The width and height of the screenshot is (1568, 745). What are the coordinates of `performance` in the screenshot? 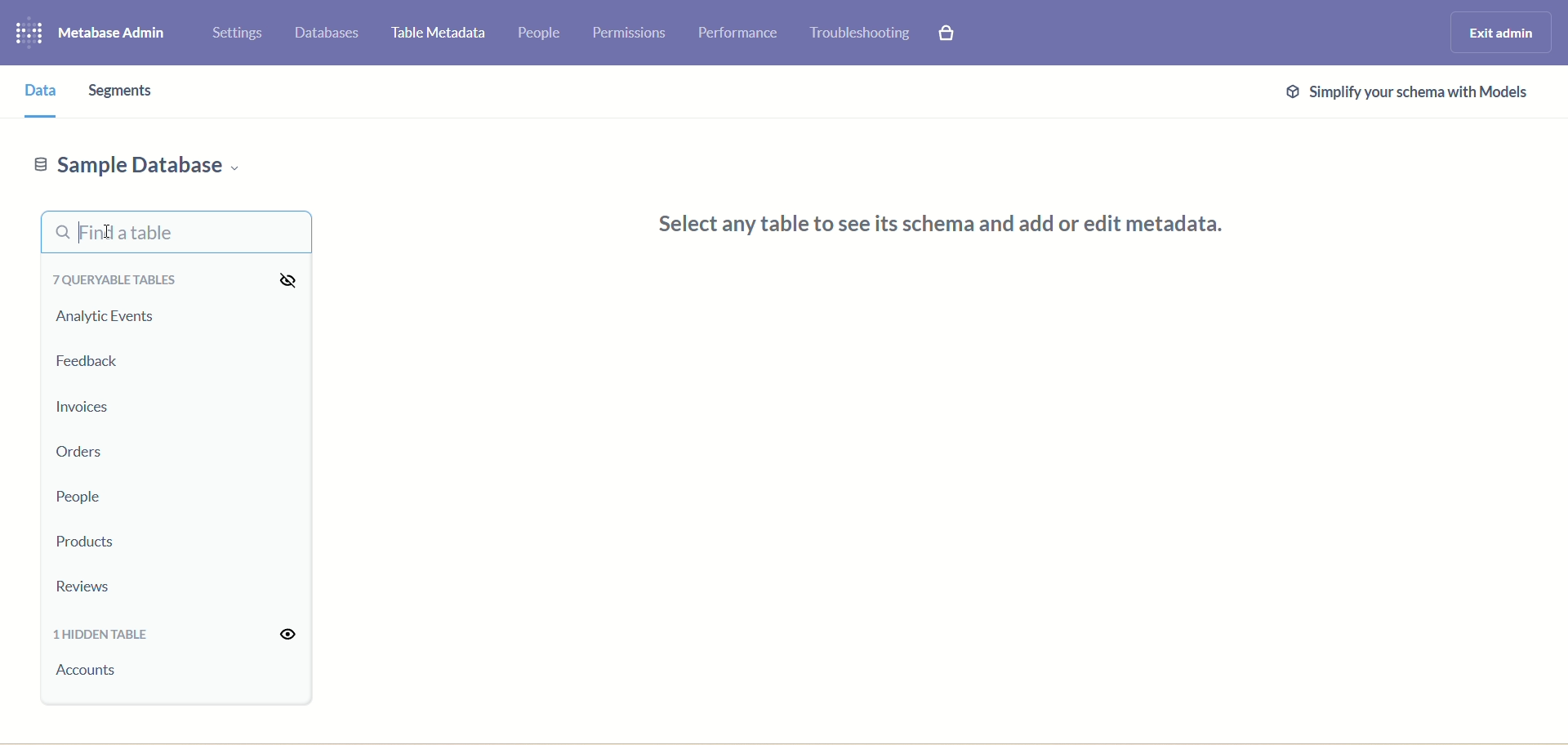 It's located at (741, 34).